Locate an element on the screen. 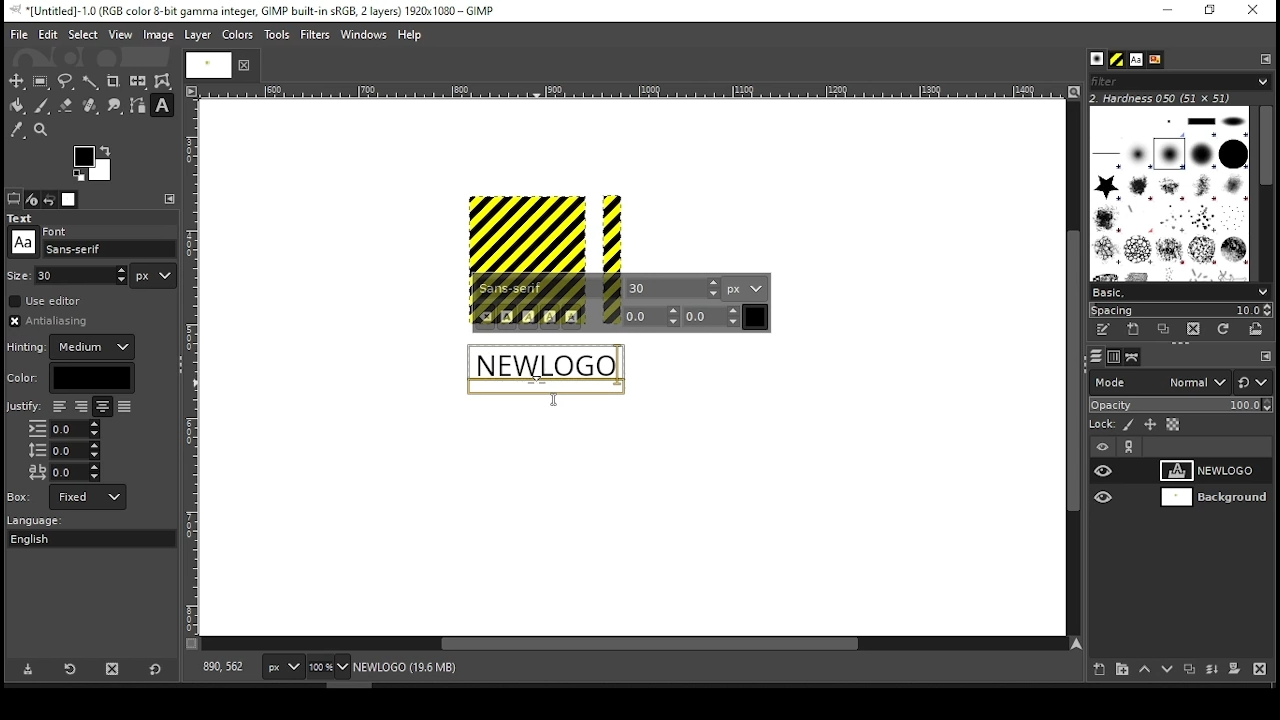  duplicate layer is located at coordinates (1192, 671).